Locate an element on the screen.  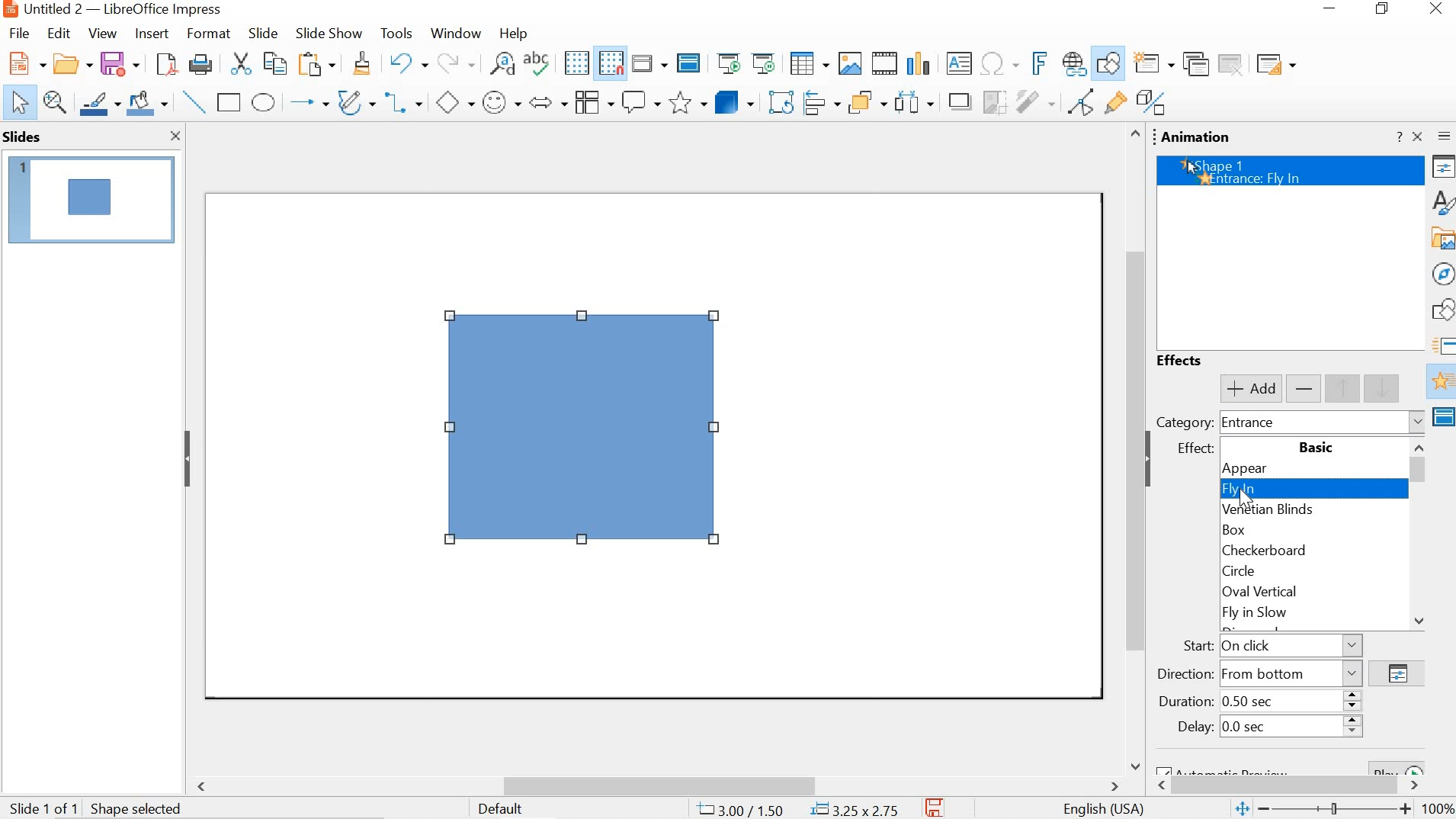
3.00/1.50 is located at coordinates (742, 808).